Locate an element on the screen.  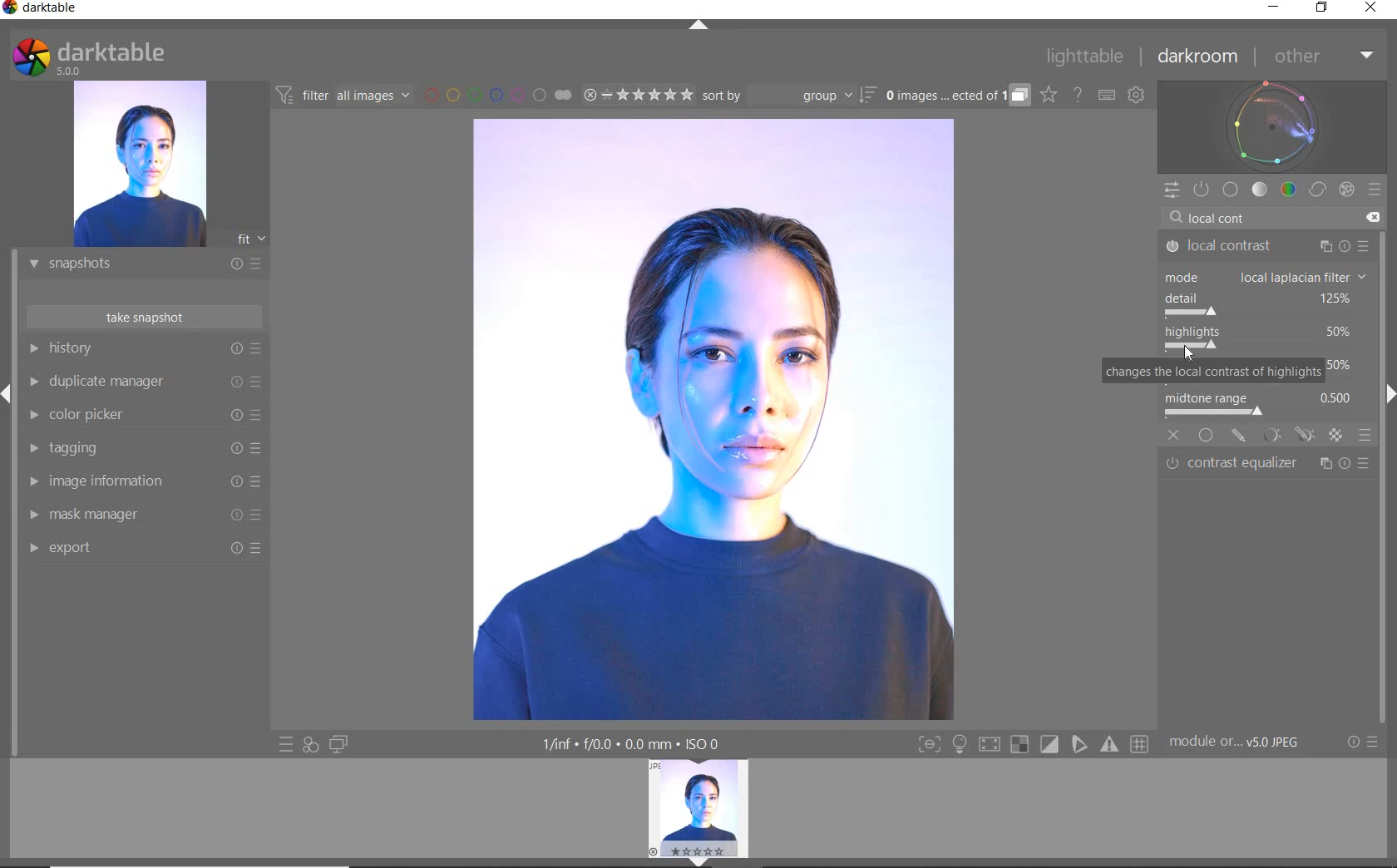
HELP ONLINE is located at coordinates (1078, 94).